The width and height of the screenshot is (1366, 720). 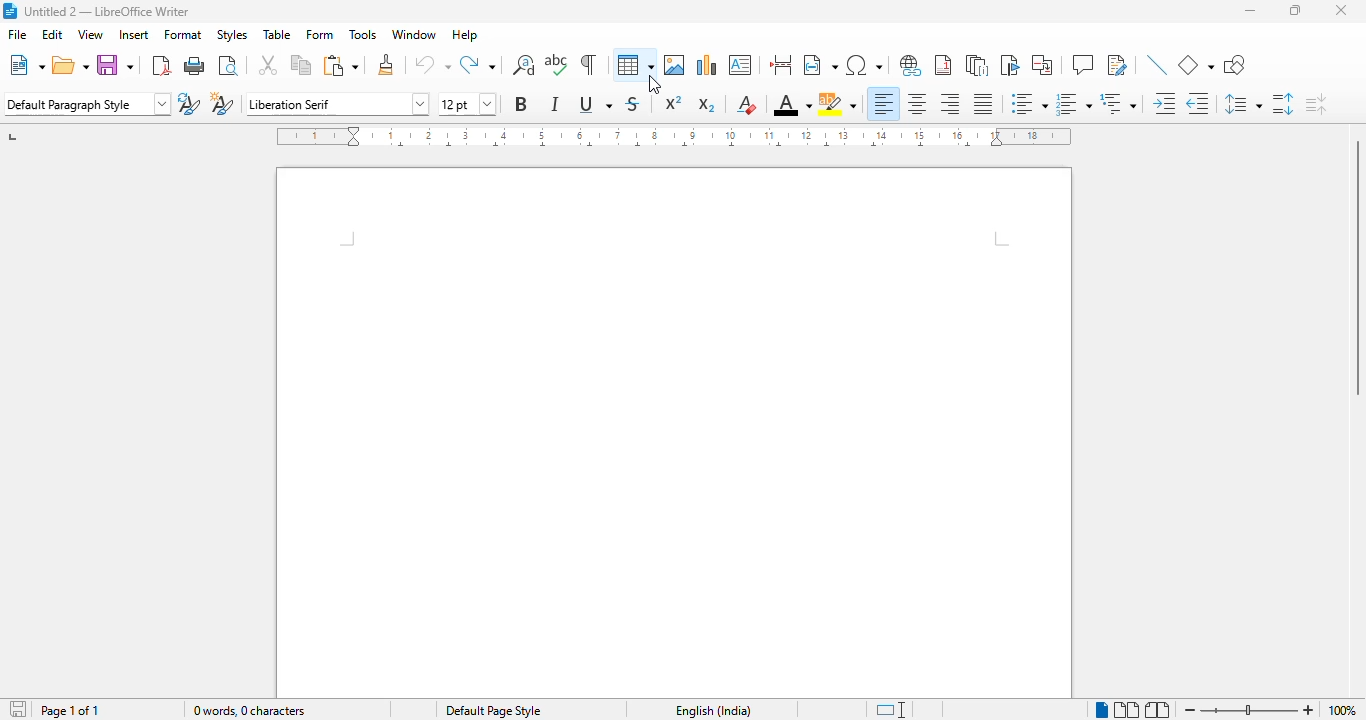 What do you see at coordinates (277, 35) in the screenshot?
I see `table` at bounding box center [277, 35].